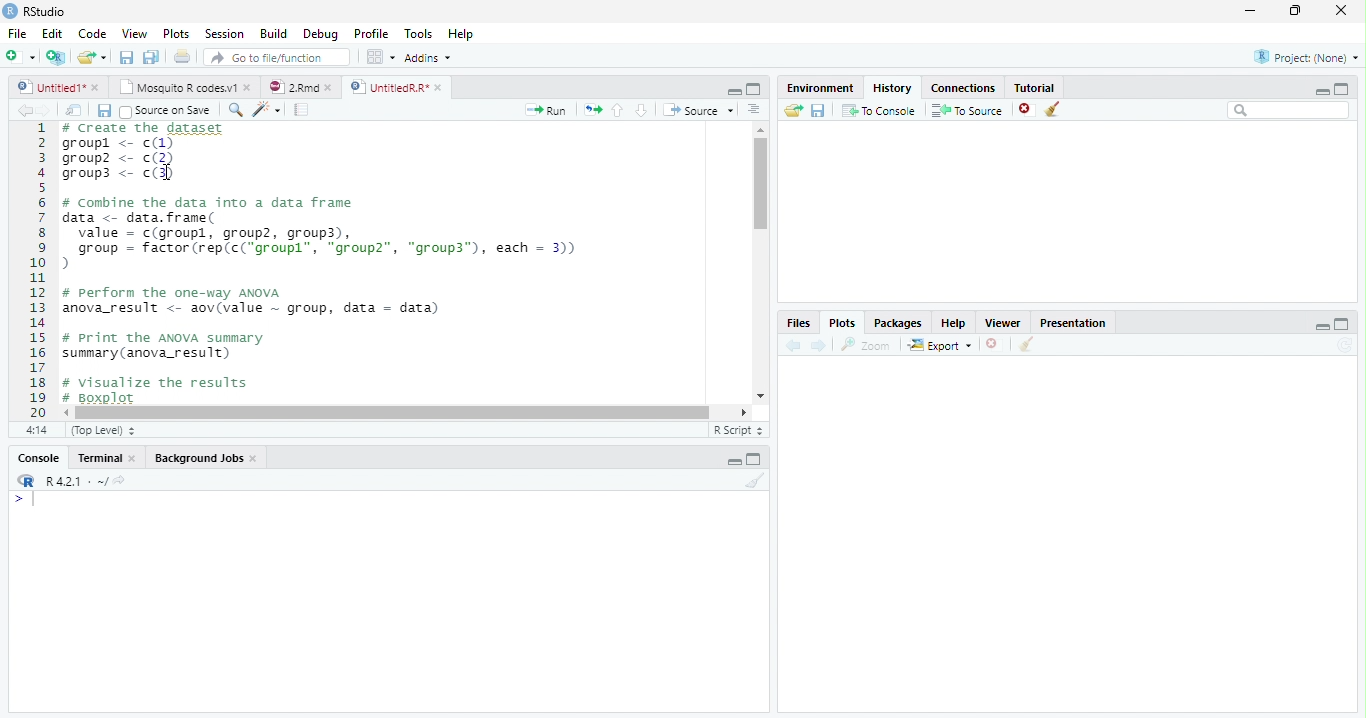 The height and width of the screenshot is (718, 1366). What do you see at coordinates (408, 411) in the screenshot?
I see `Scrollbar` at bounding box center [408, 411].